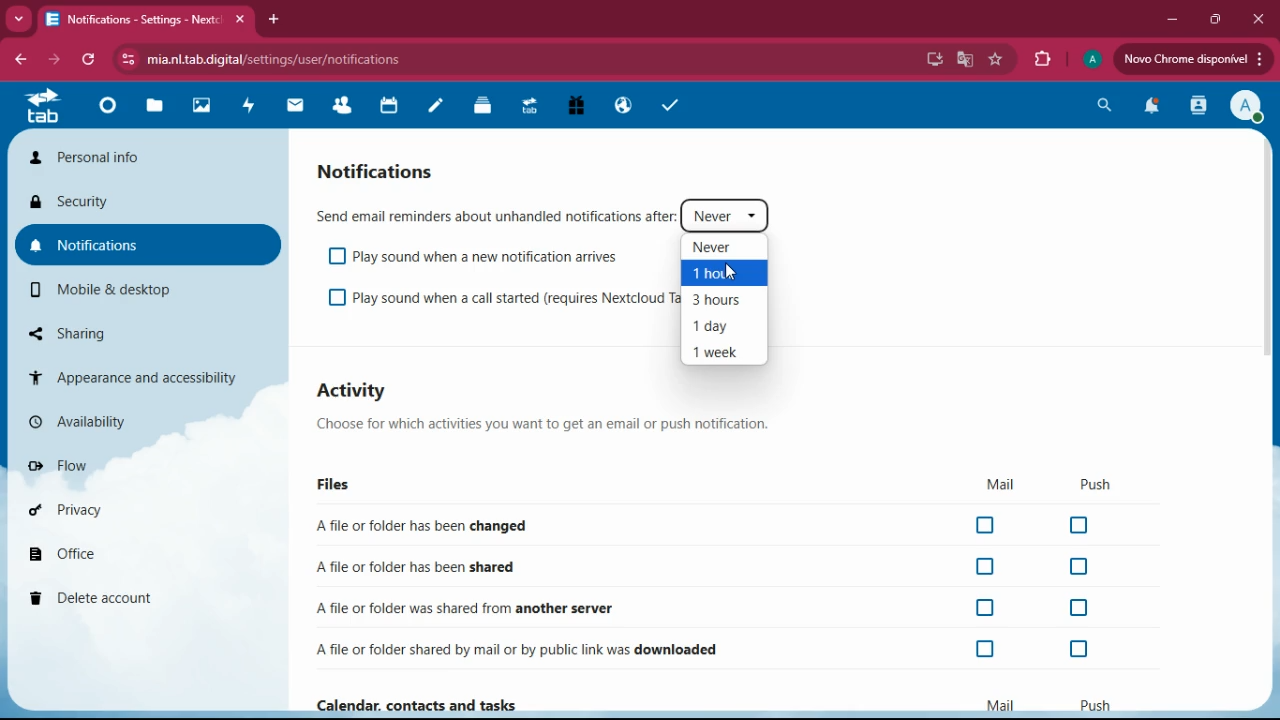 The height and width of the screenshot is (720, 1280). What do you see at coordinates (1248, 107) in the screenshot?
I see `profile` at bounding box center [1248, 107].